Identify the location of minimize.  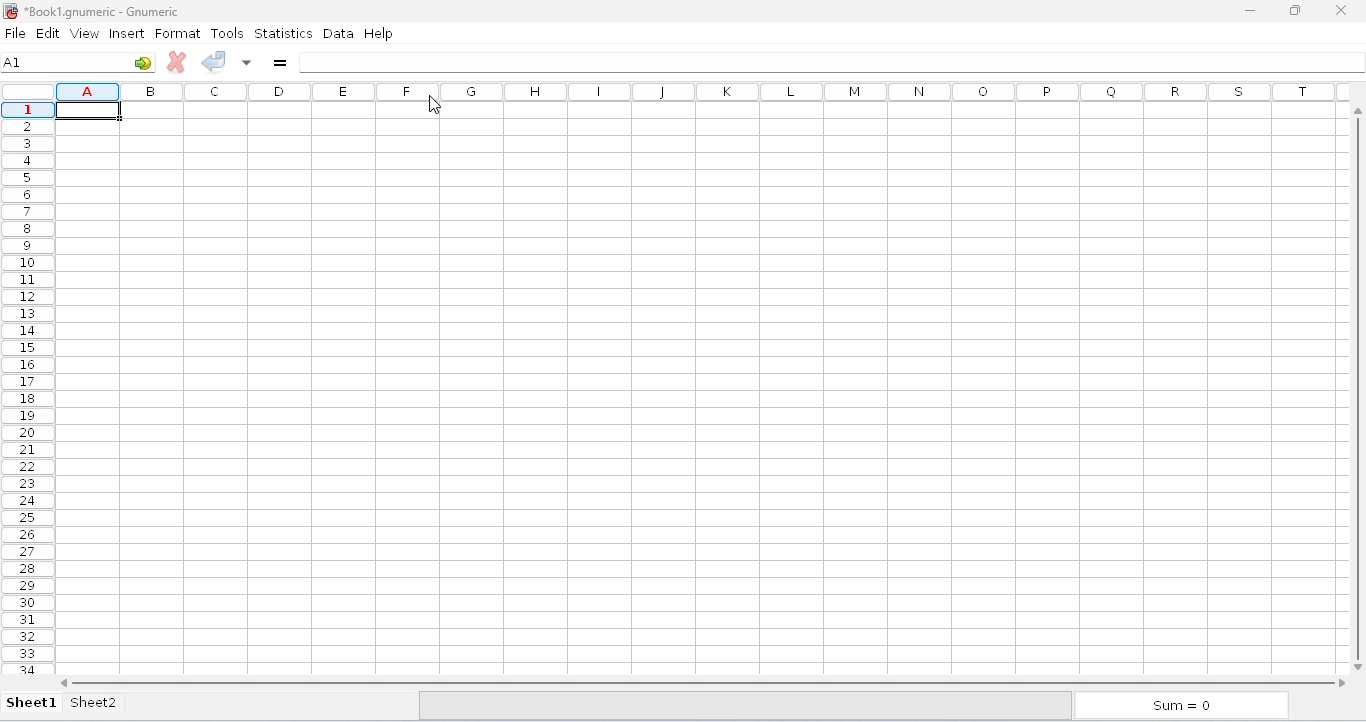
(1249, 10).